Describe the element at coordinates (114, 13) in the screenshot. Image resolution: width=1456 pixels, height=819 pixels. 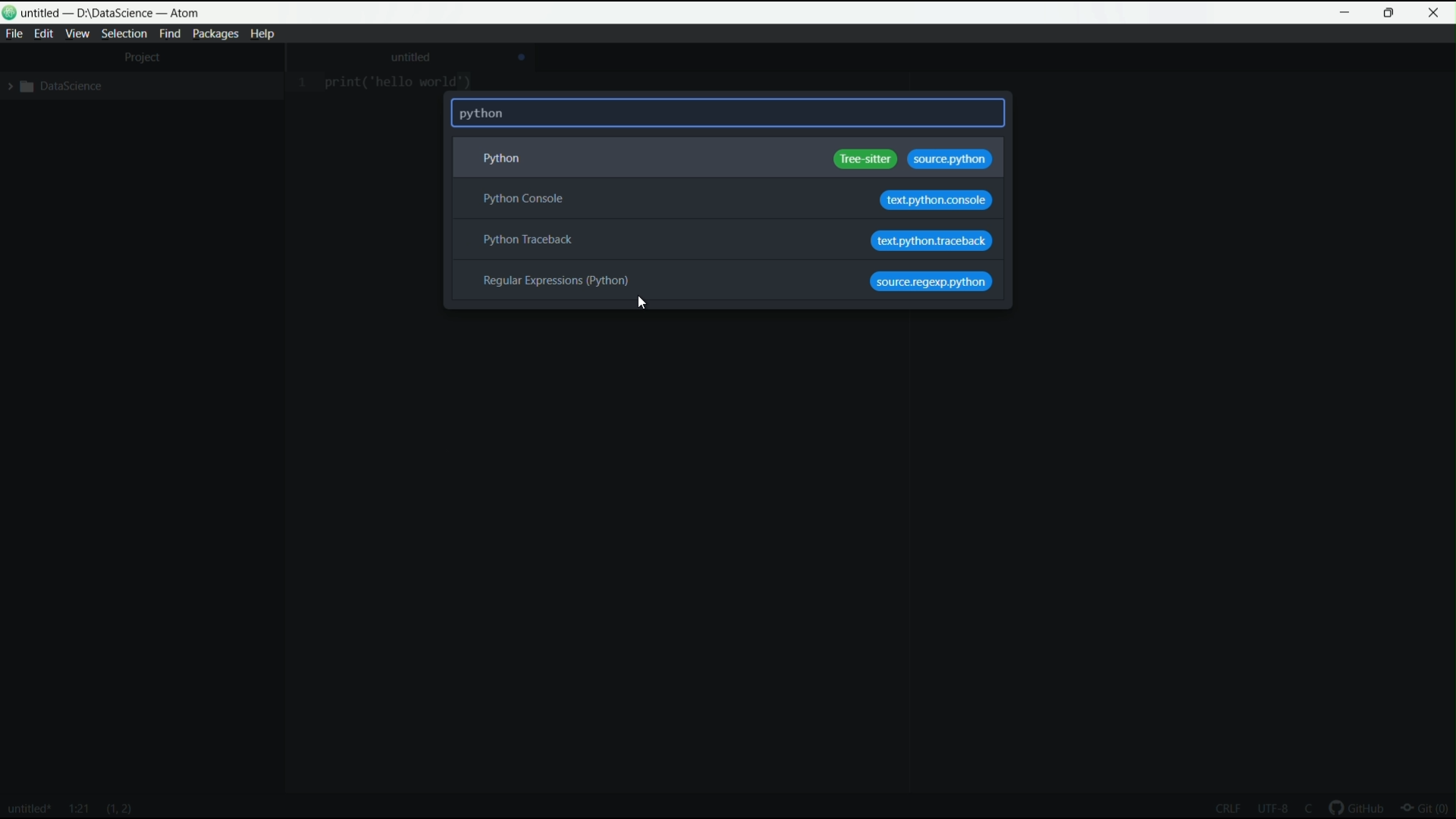
I see `untitled D:\Datascience -atom` at that location.